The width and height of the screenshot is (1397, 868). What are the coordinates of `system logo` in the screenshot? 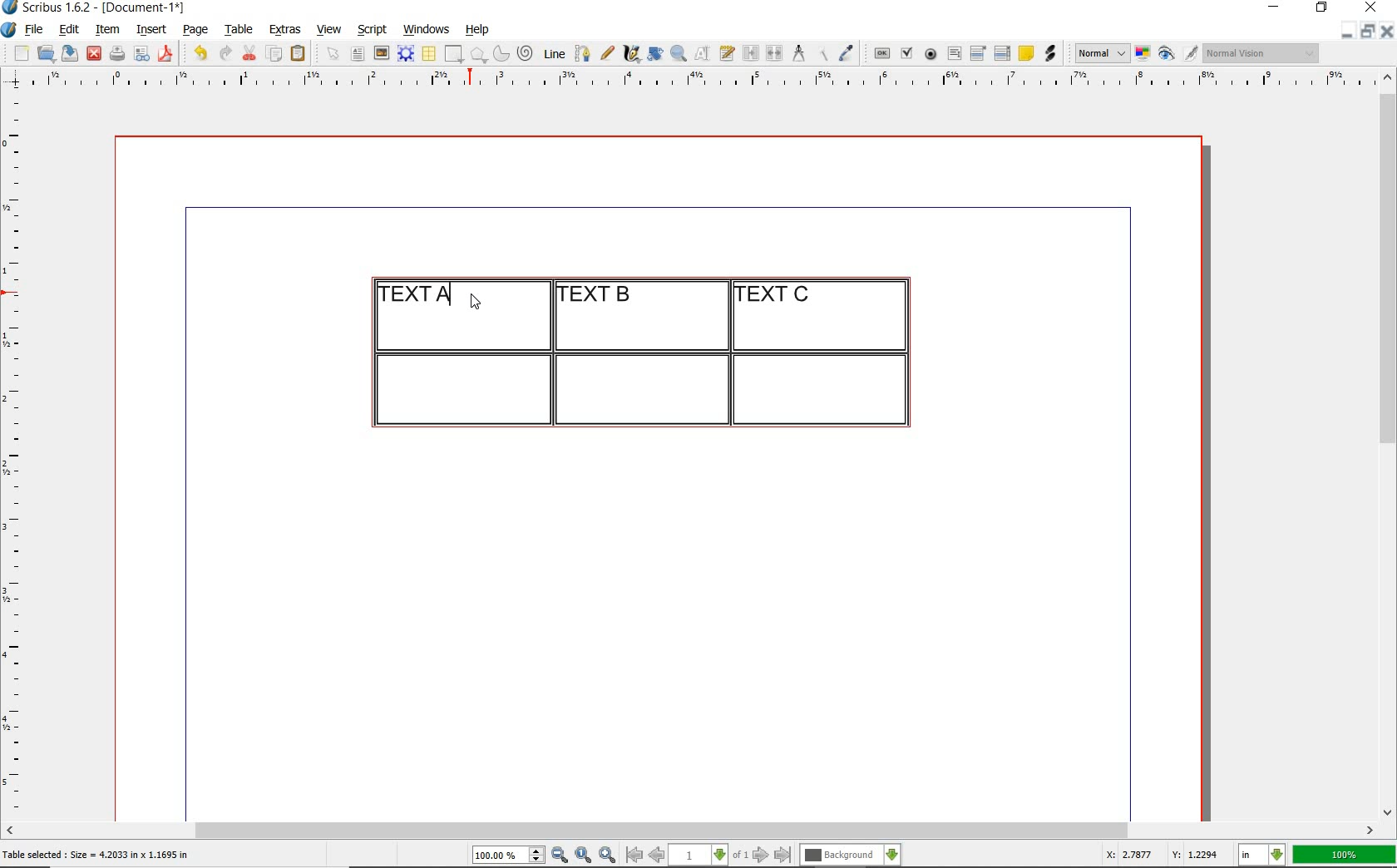 It's located at (10, 30).